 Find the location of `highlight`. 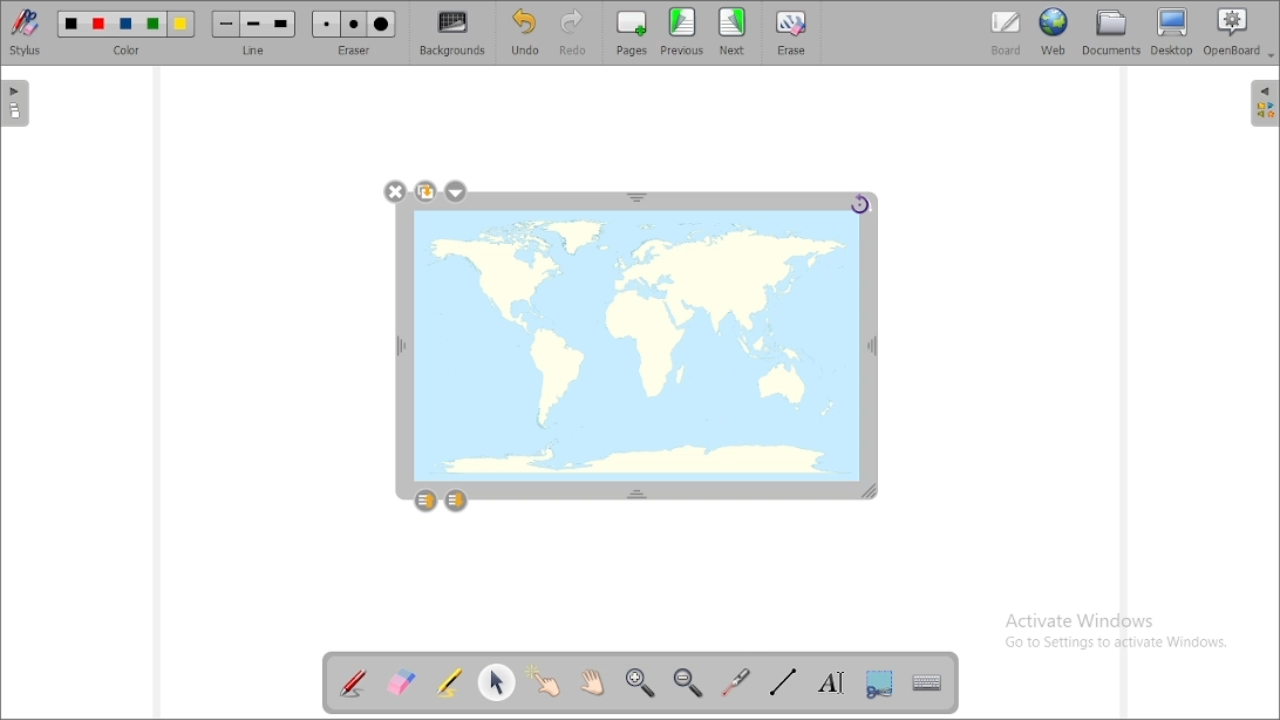

highlight is located at coordinates (448, 682).